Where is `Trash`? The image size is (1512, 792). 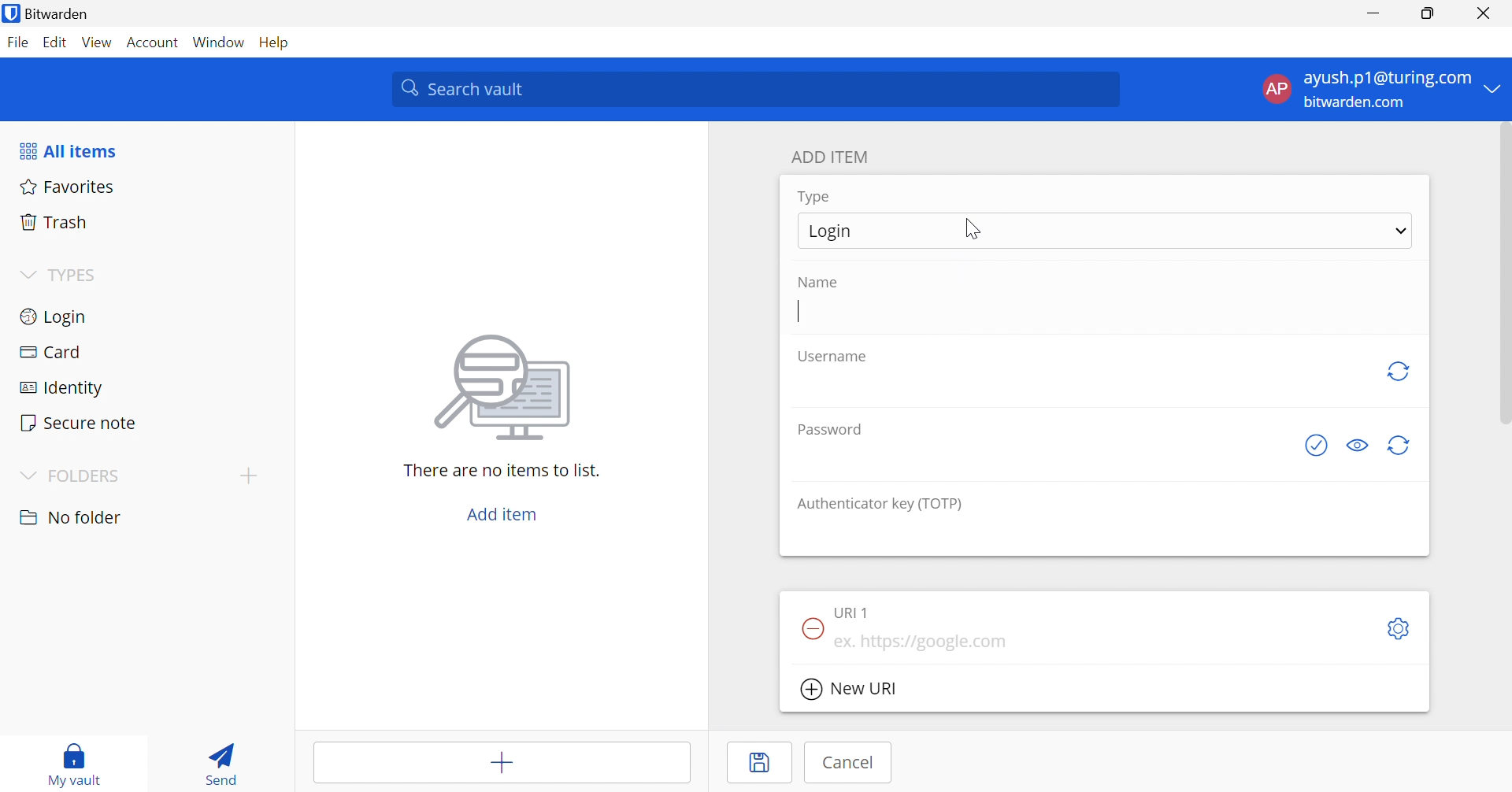
Trash is located at coordinates (147, 221).